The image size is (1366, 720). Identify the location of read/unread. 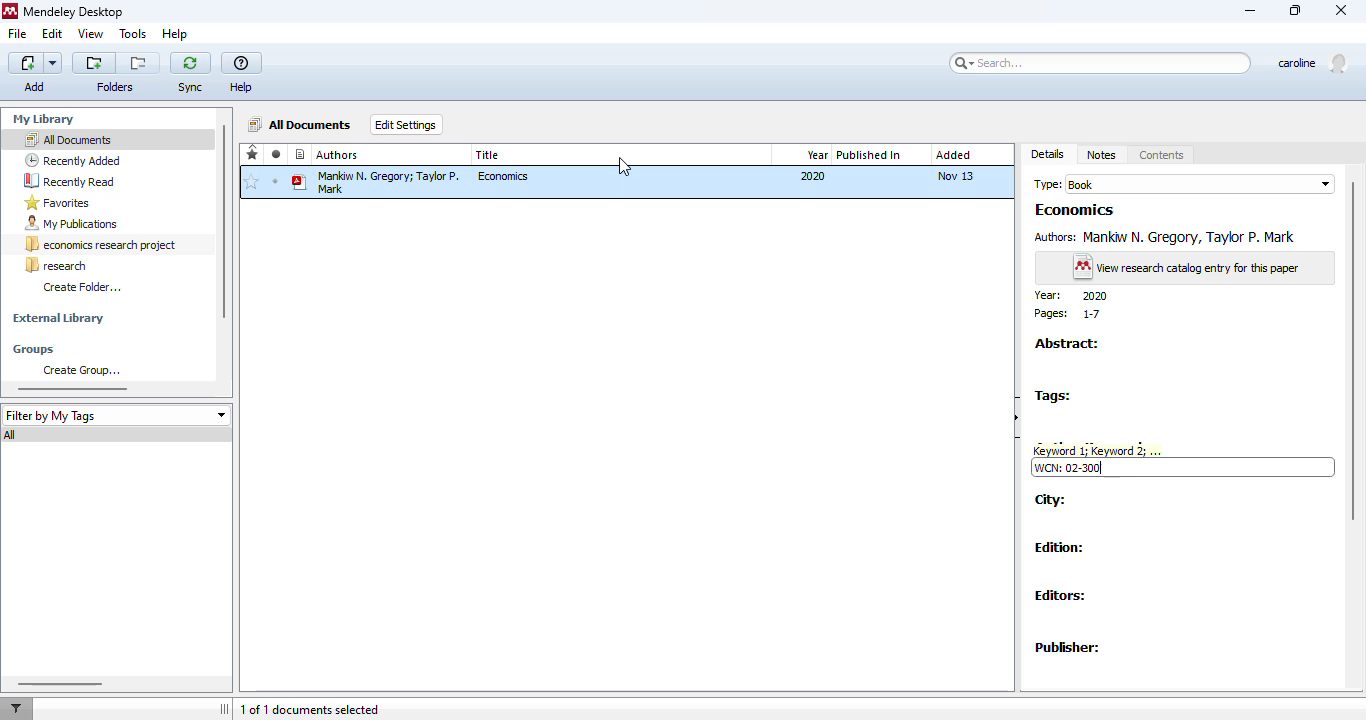
(276, 153).